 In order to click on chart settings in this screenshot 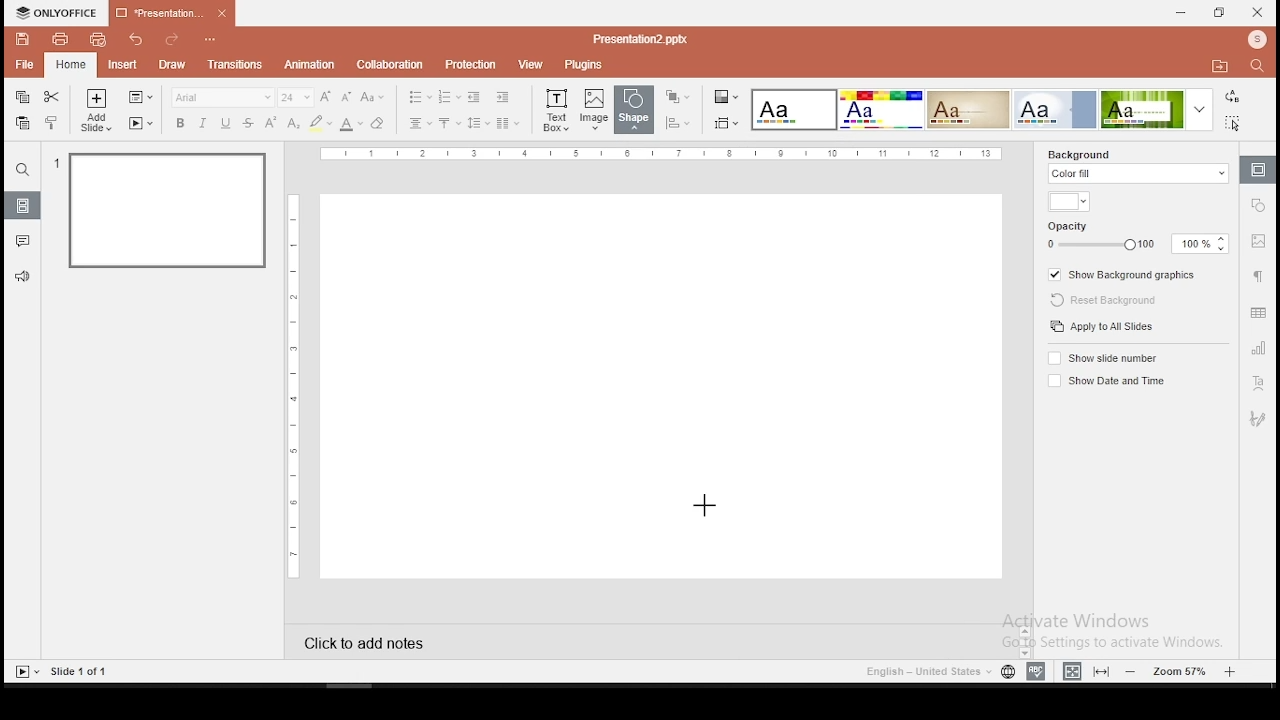, I will do `click(1256, 347)`.